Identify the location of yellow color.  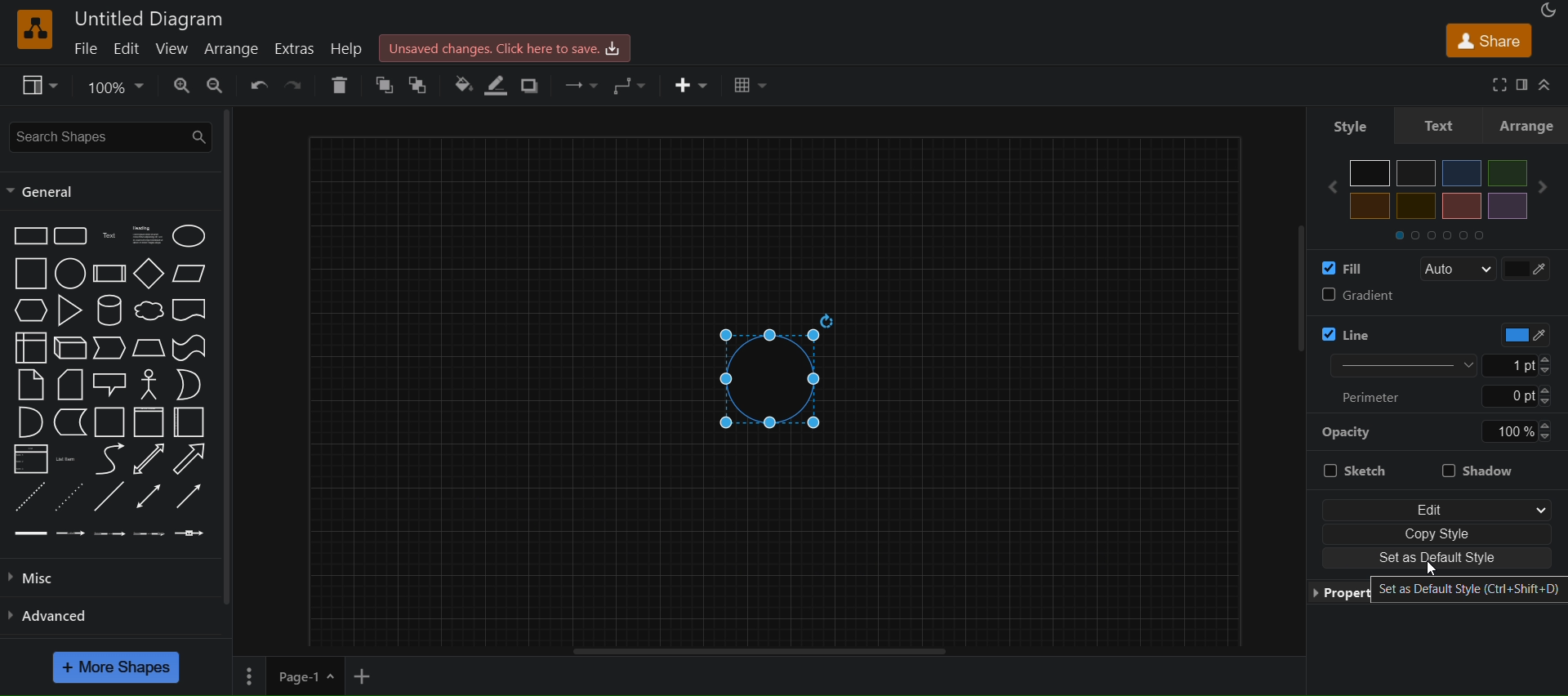
(1370, 206).